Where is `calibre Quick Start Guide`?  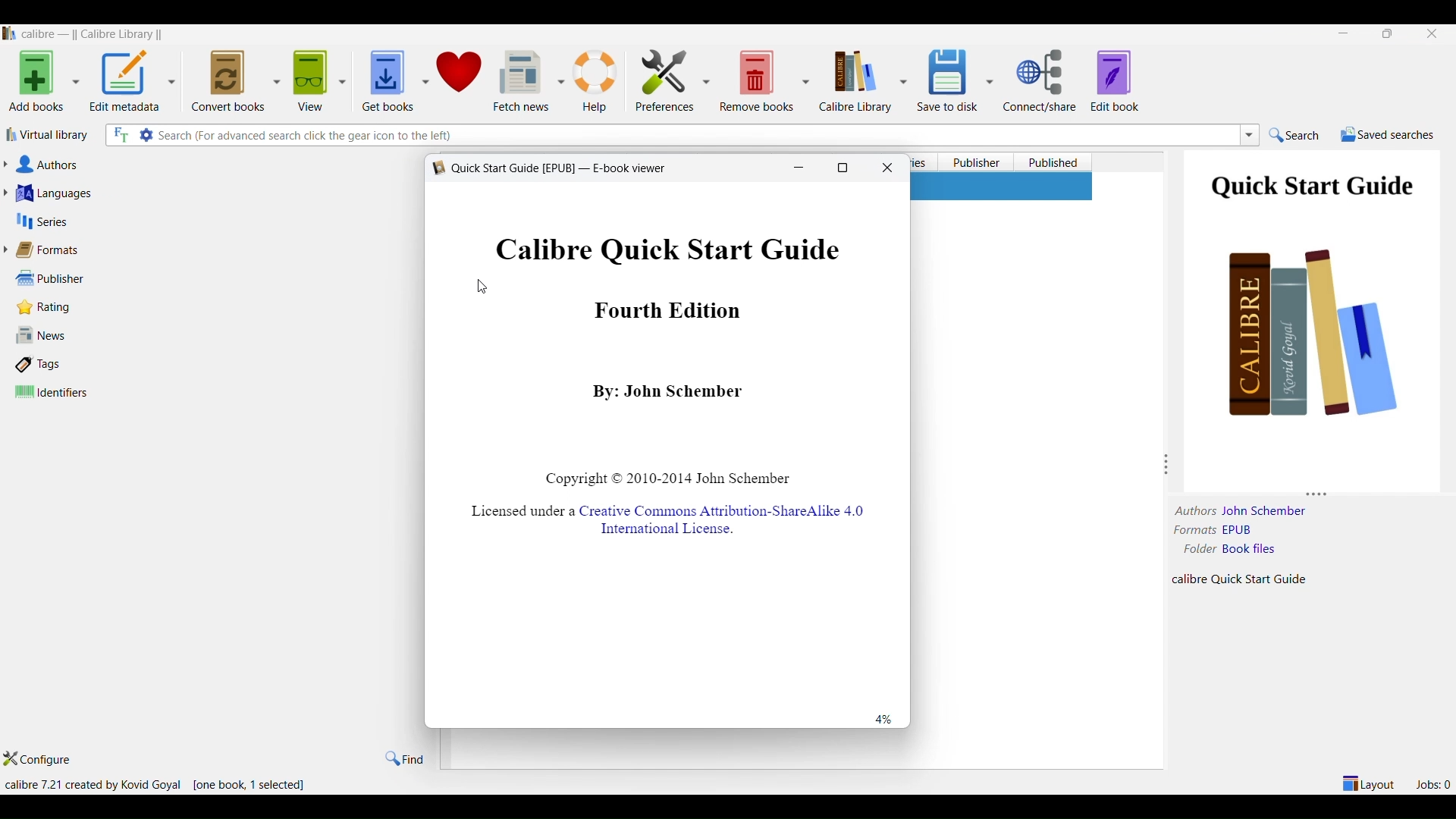
calibre Quick Start Guide is located at coordinates (1254, 579).